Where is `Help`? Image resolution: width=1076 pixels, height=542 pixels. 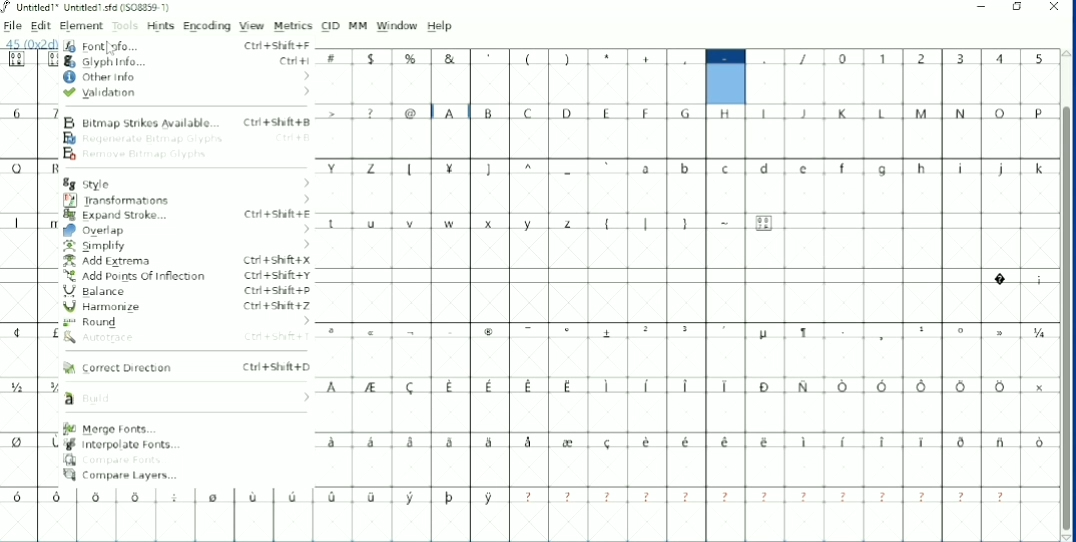
Help is located at coordinates (441, 26).